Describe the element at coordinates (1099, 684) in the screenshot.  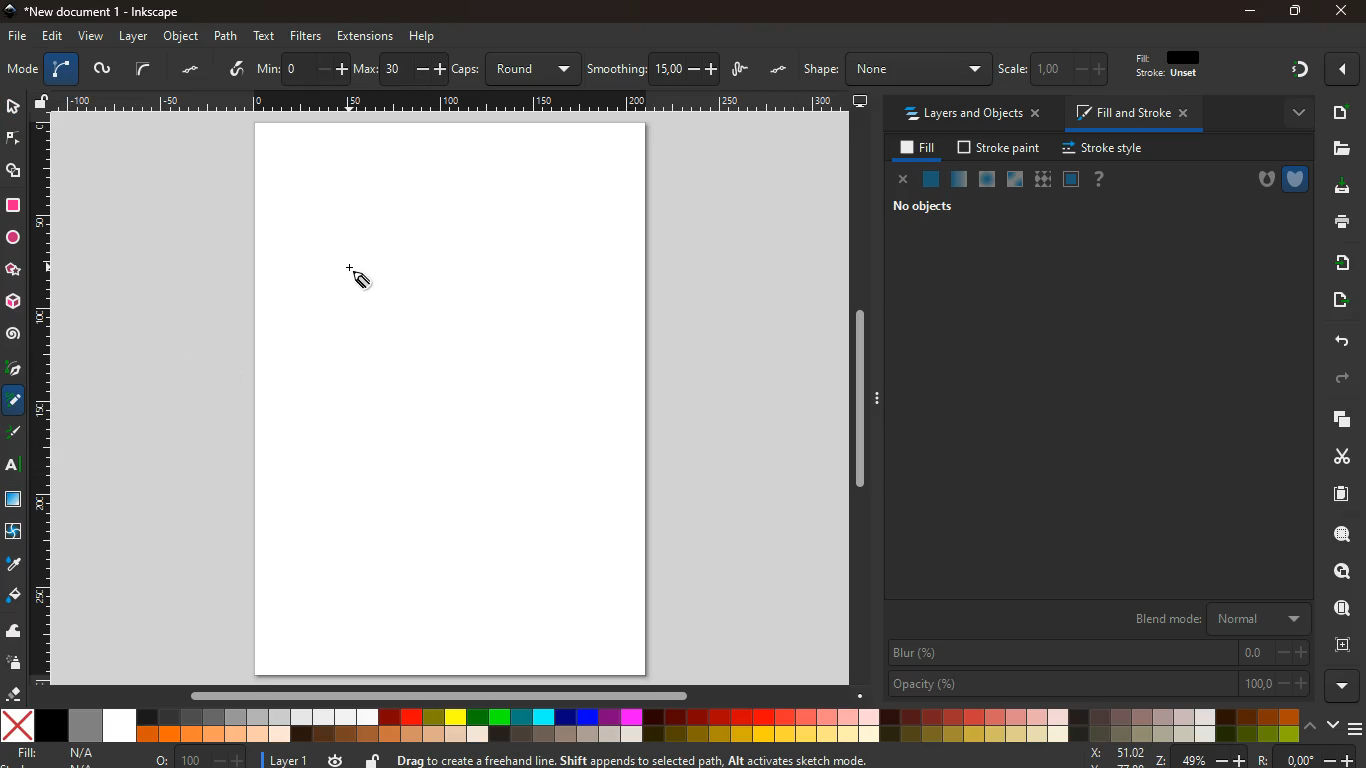
I see `opacity` at that location.